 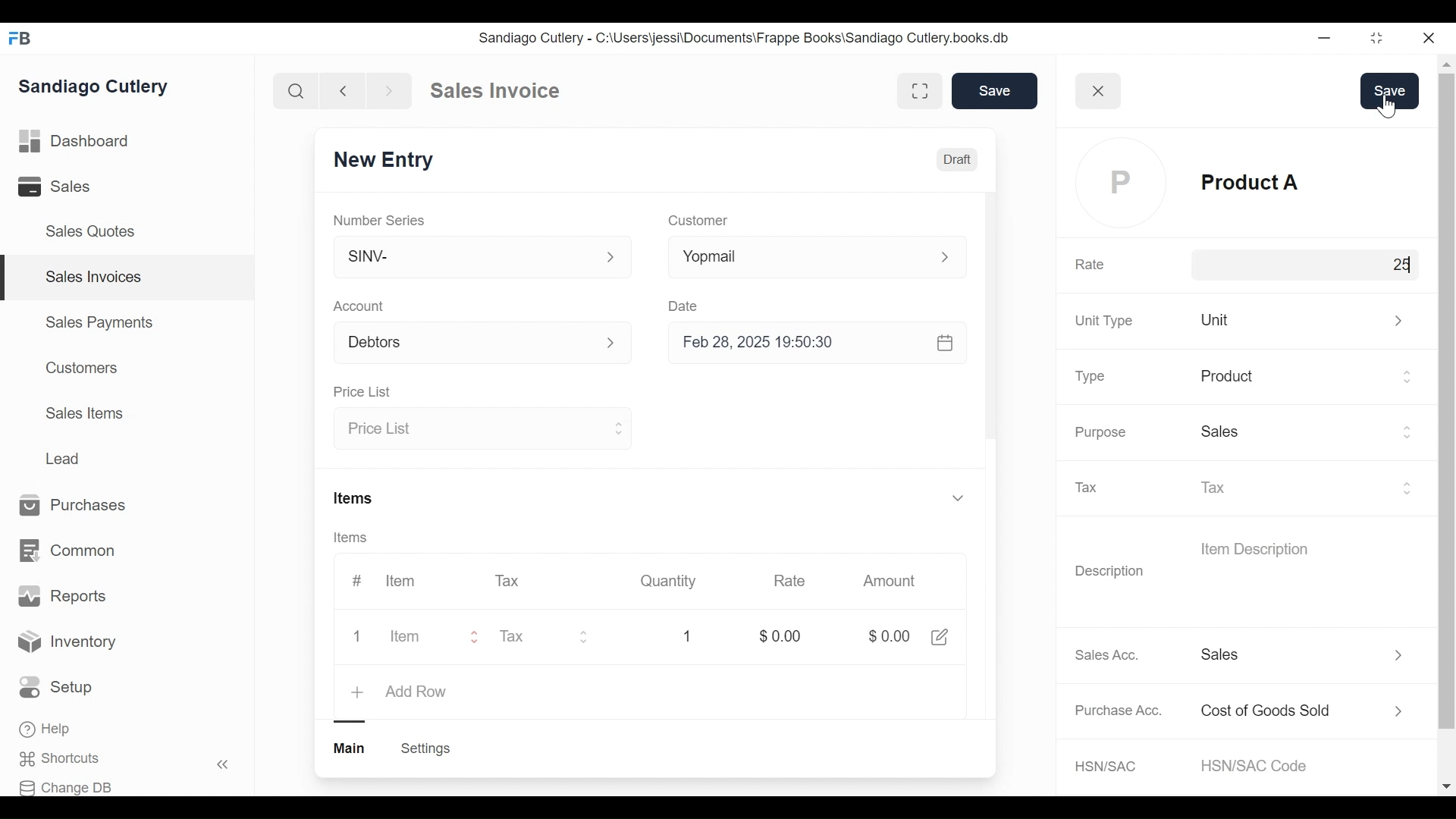 I want to click on $0.00, so click(x=777, y=634).